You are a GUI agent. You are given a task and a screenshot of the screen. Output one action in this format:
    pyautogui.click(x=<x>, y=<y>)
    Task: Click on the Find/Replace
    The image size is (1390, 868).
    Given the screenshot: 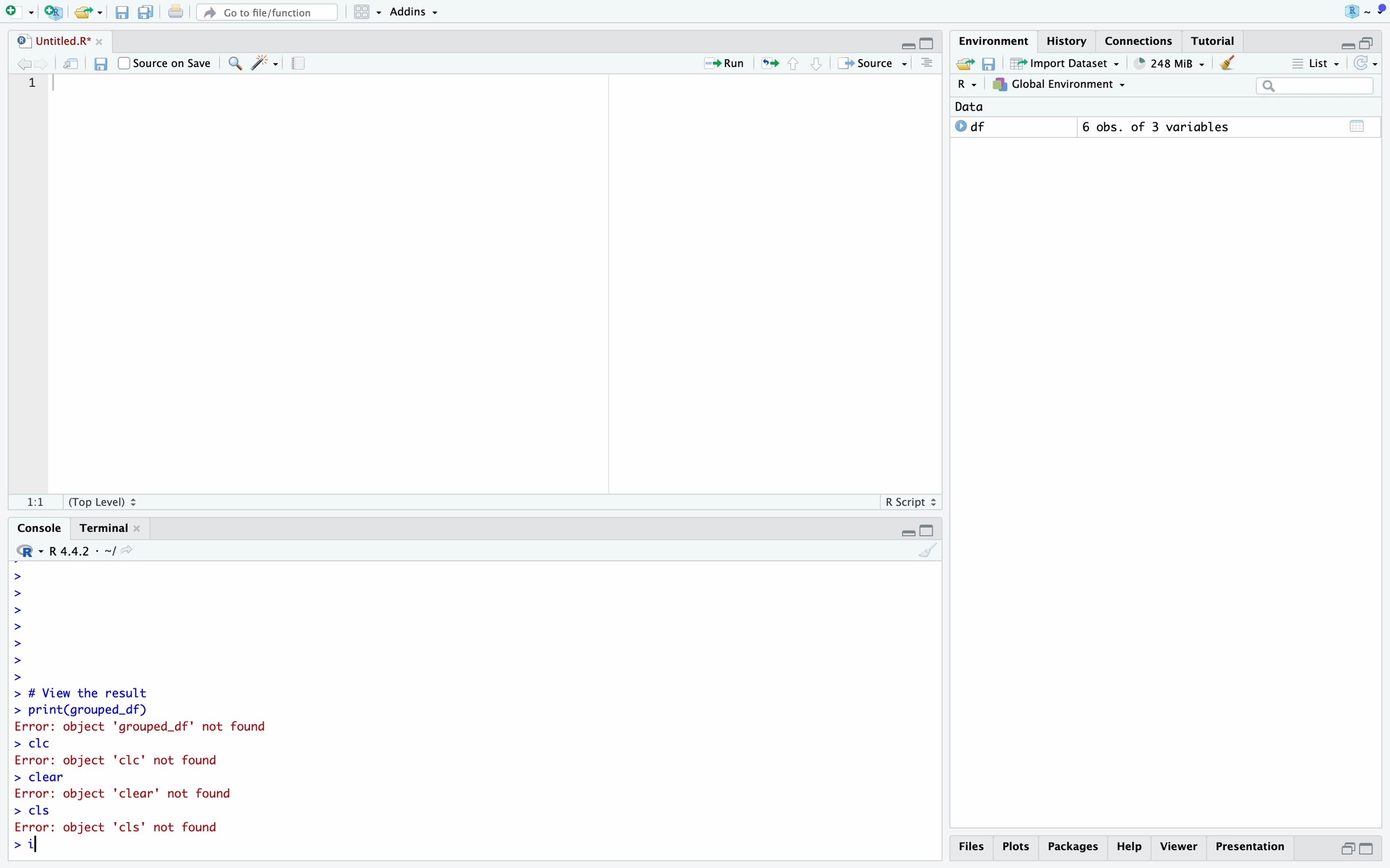 What is the action you would take?
    pyautogui.click(x=235, y=64)
    